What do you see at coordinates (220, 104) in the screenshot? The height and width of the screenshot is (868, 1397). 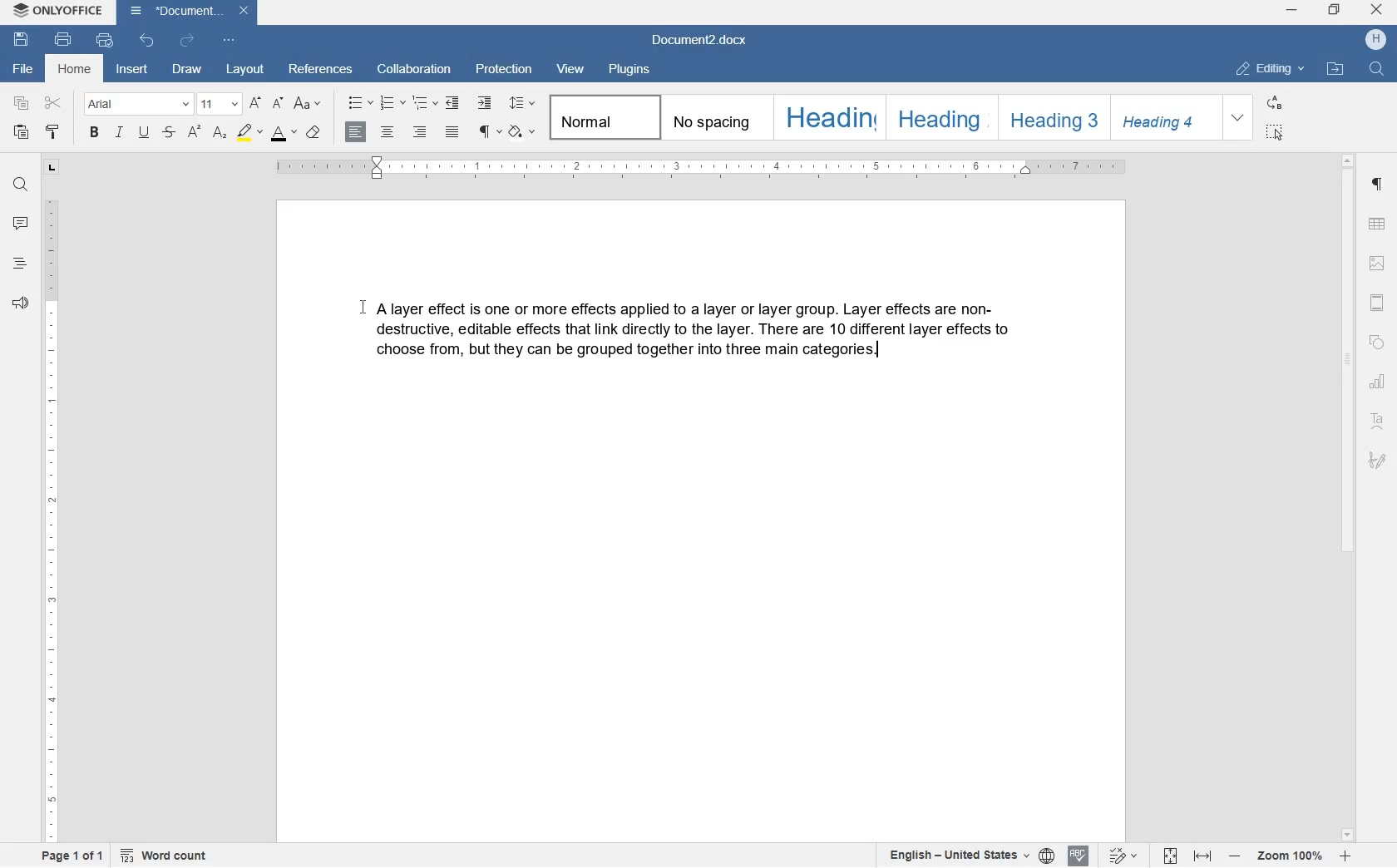 I see `font size` at bounding box center [220, 104].